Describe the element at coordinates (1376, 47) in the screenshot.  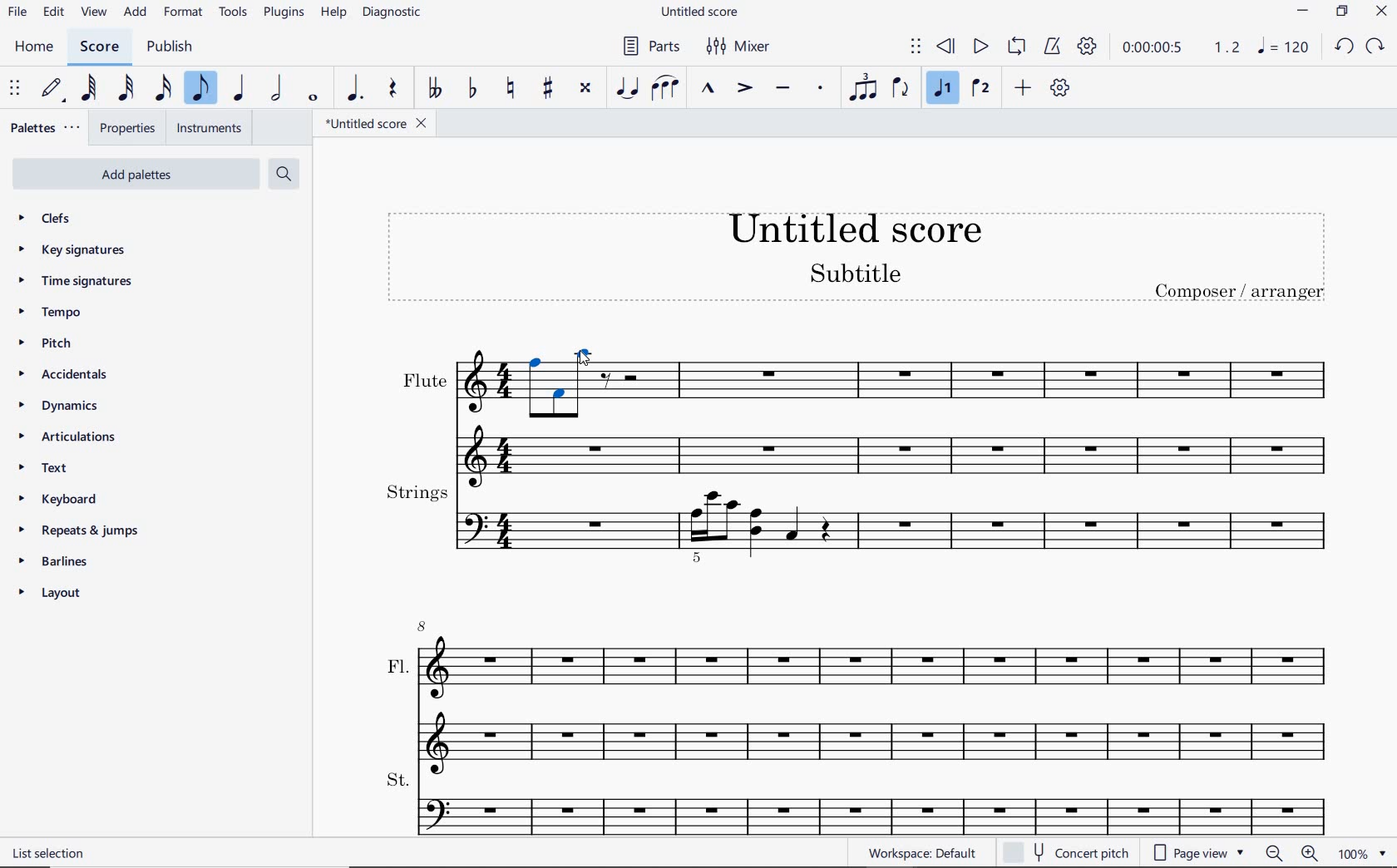
I see `redo` at that location.